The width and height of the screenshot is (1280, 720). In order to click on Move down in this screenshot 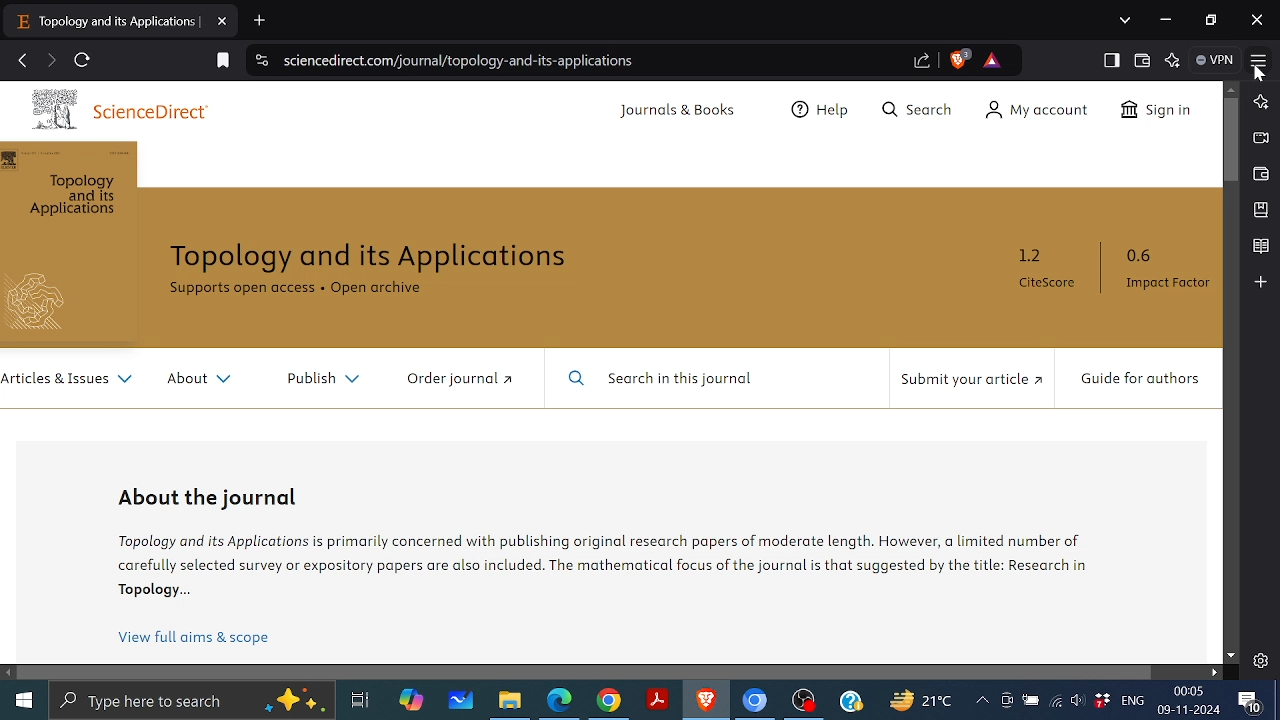, I will do `click(1229, 656)`.